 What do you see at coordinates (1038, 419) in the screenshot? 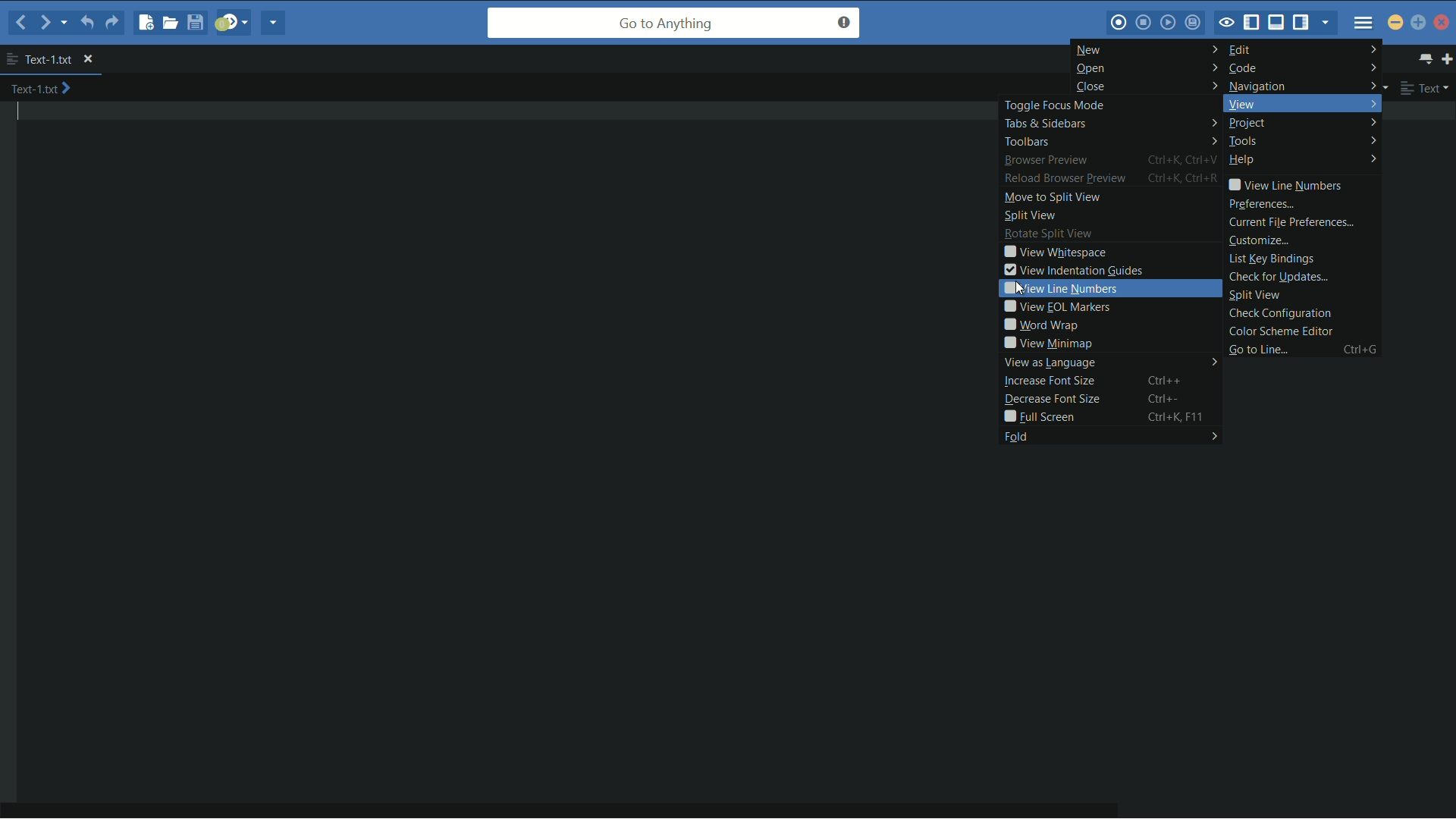
I see `full screen` at bounding box center [1038, 419].